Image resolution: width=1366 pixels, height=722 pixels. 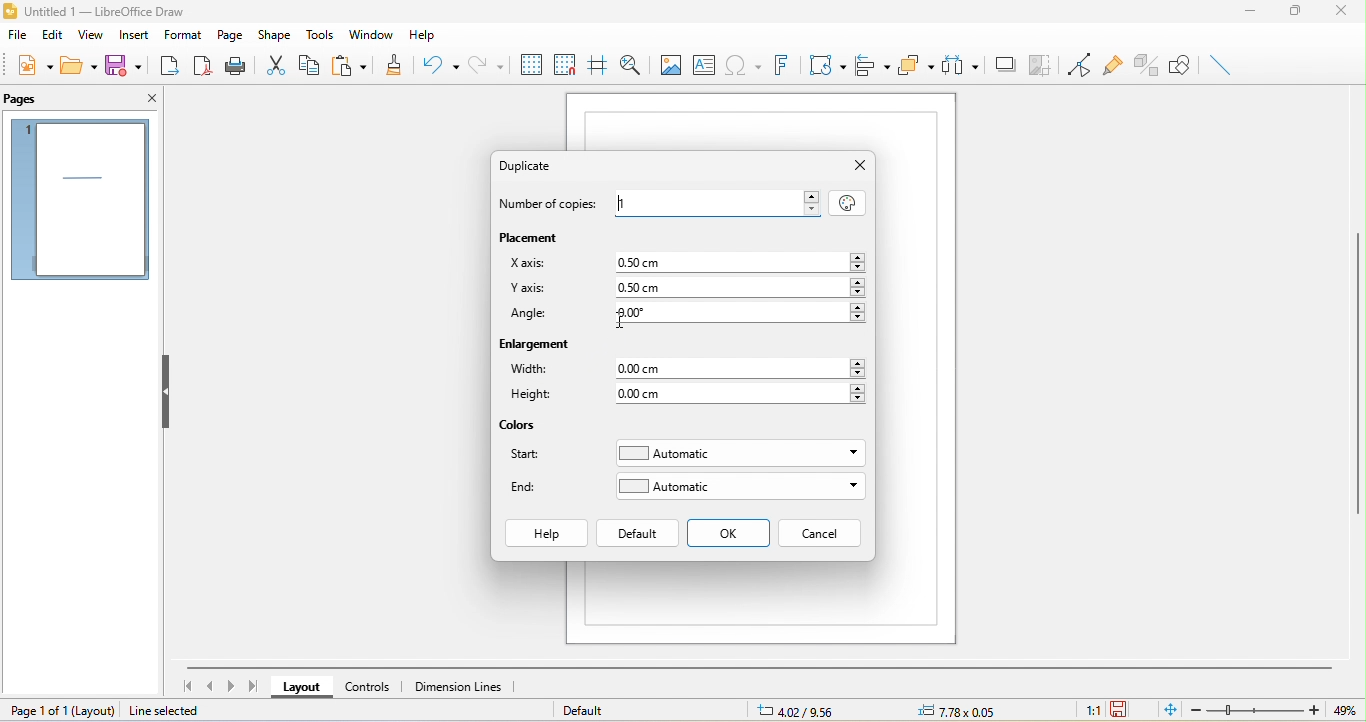 I want to click on display to grids, so click(x=530, y=64).